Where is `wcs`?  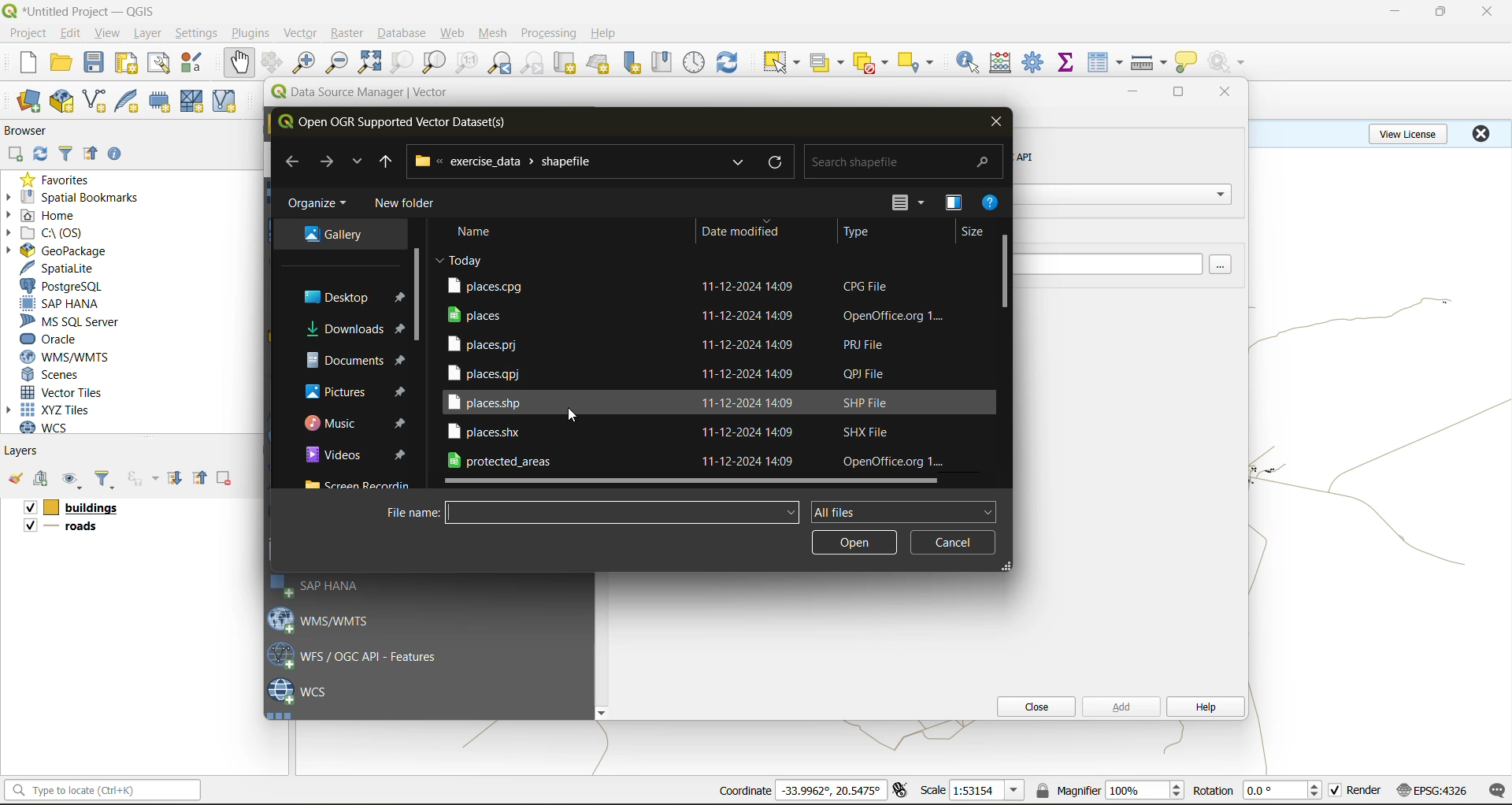 wcs is located at coordinates (53, 428).